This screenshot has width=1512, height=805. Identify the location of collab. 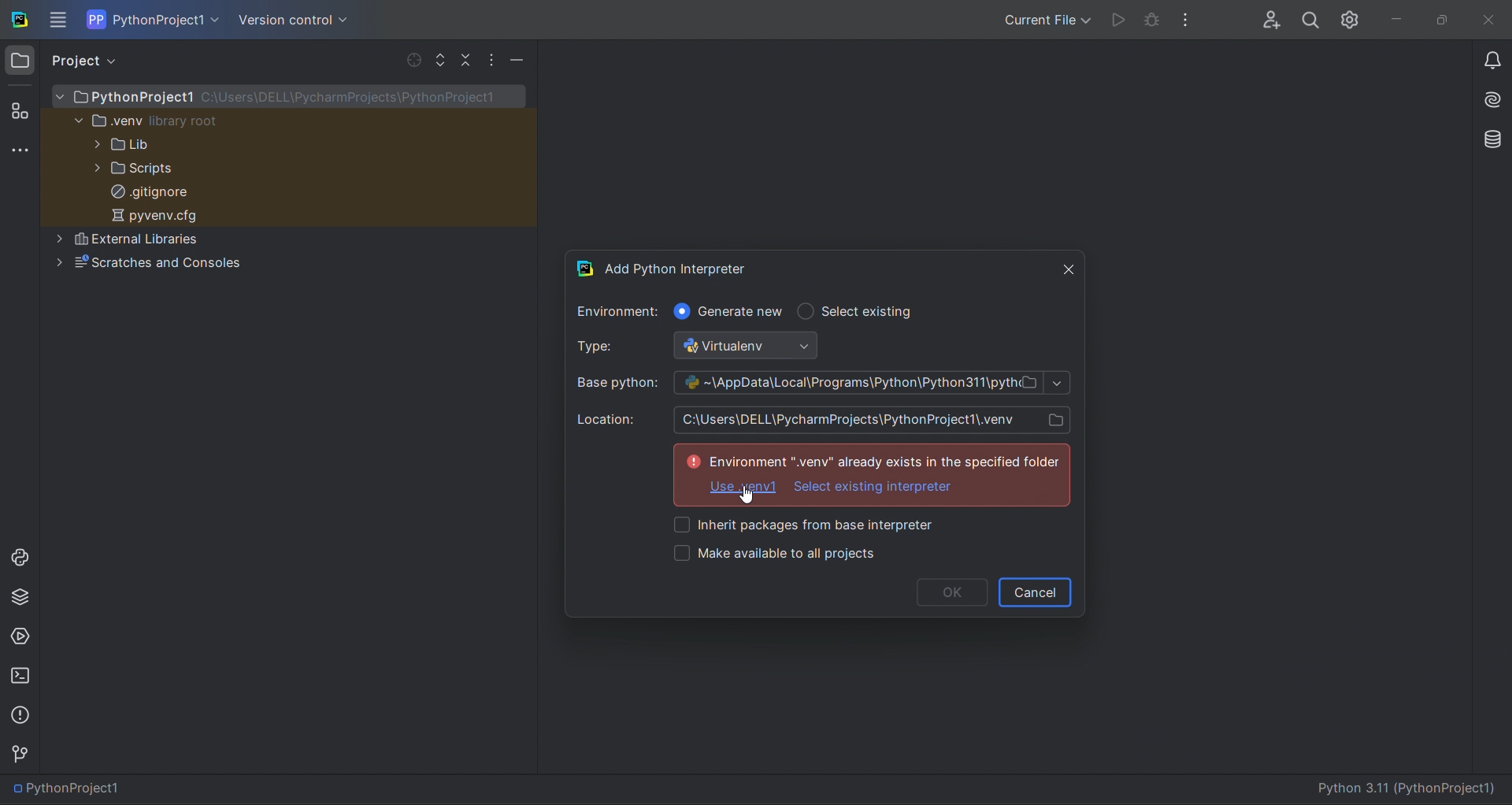
(1265, 16).